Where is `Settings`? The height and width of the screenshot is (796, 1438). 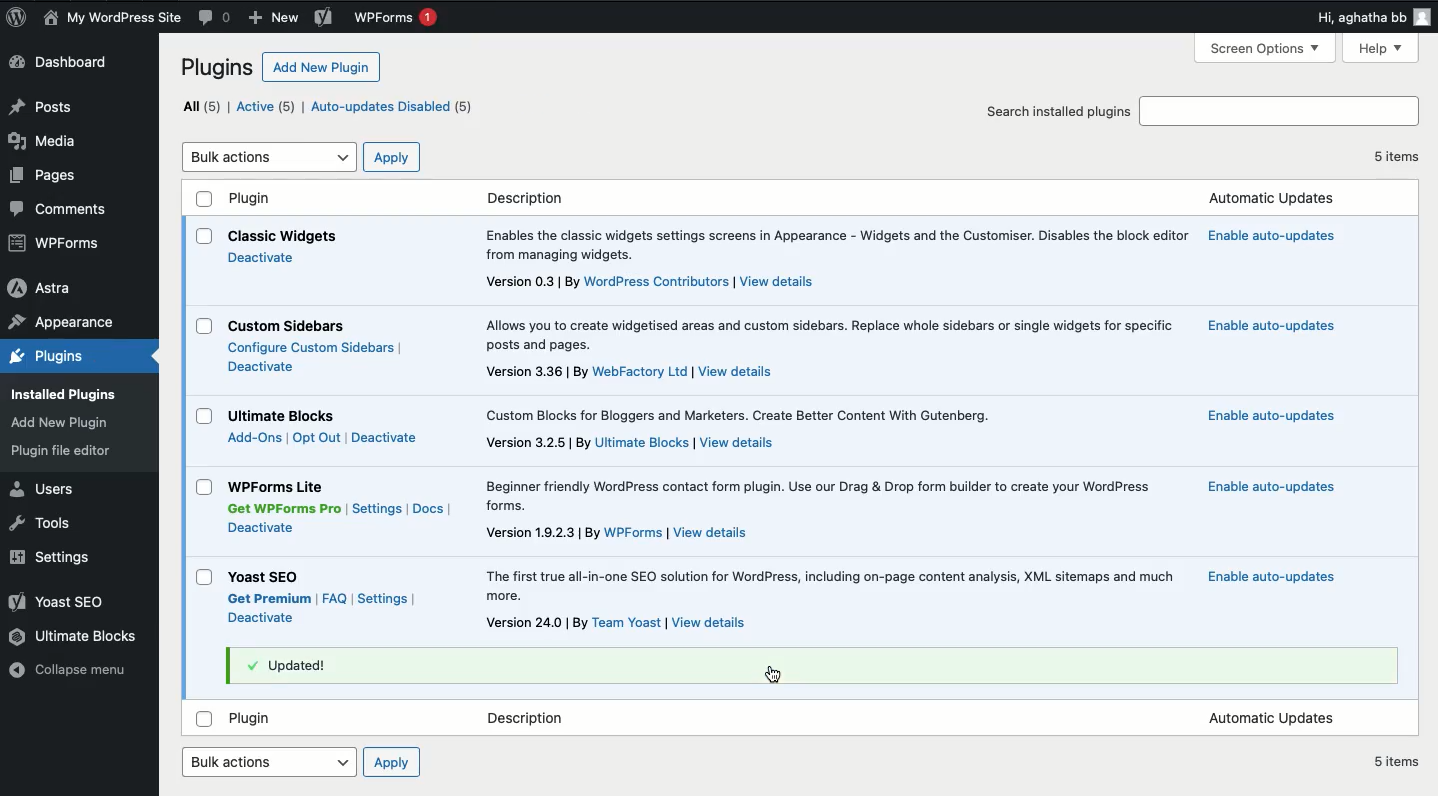 Settings is located at coordinates (57, 558).